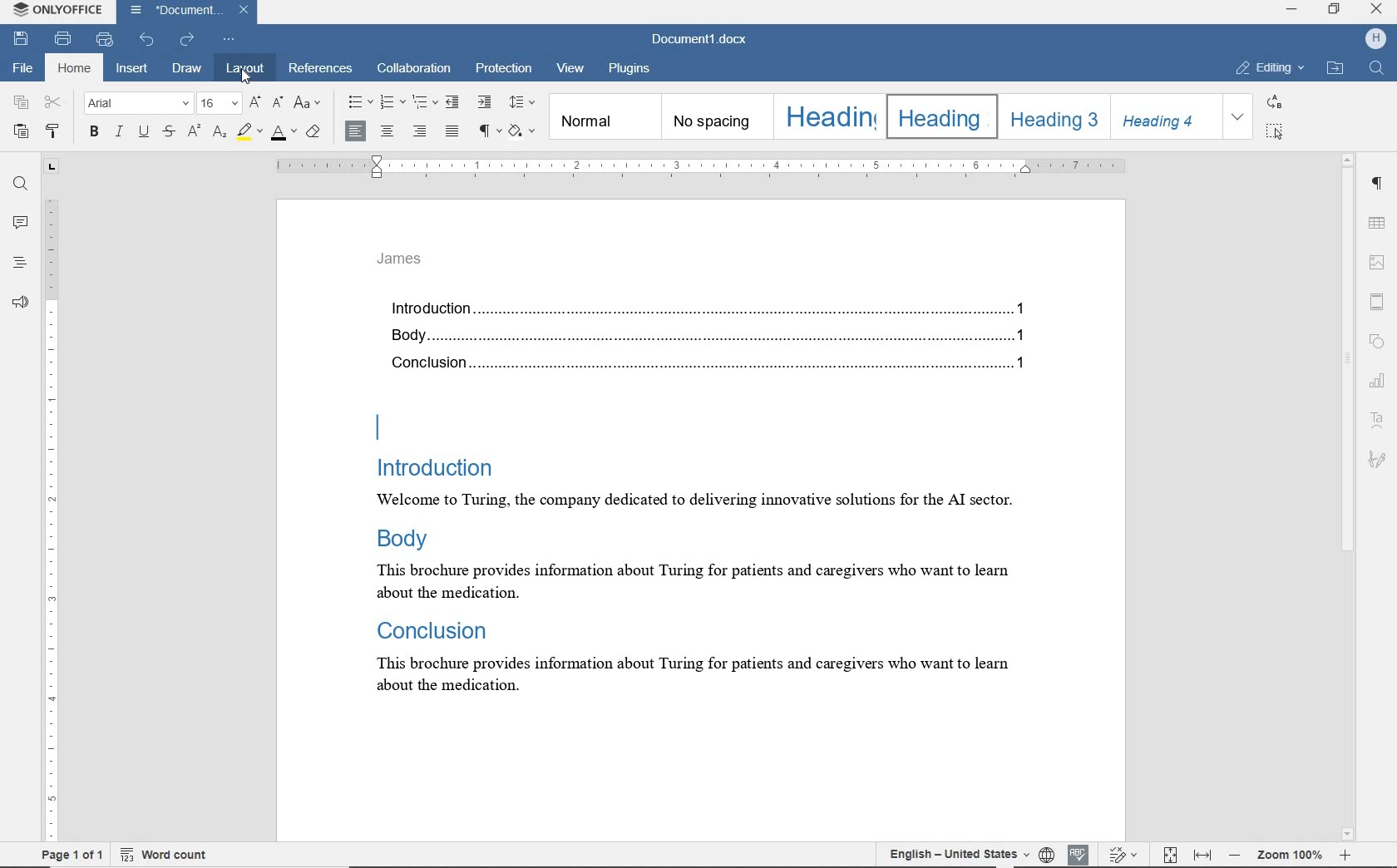 This screenshot has width=1397, height=868. Describe the element at coordinates (54, 101) in the screenshot. I see `cut` at that location.